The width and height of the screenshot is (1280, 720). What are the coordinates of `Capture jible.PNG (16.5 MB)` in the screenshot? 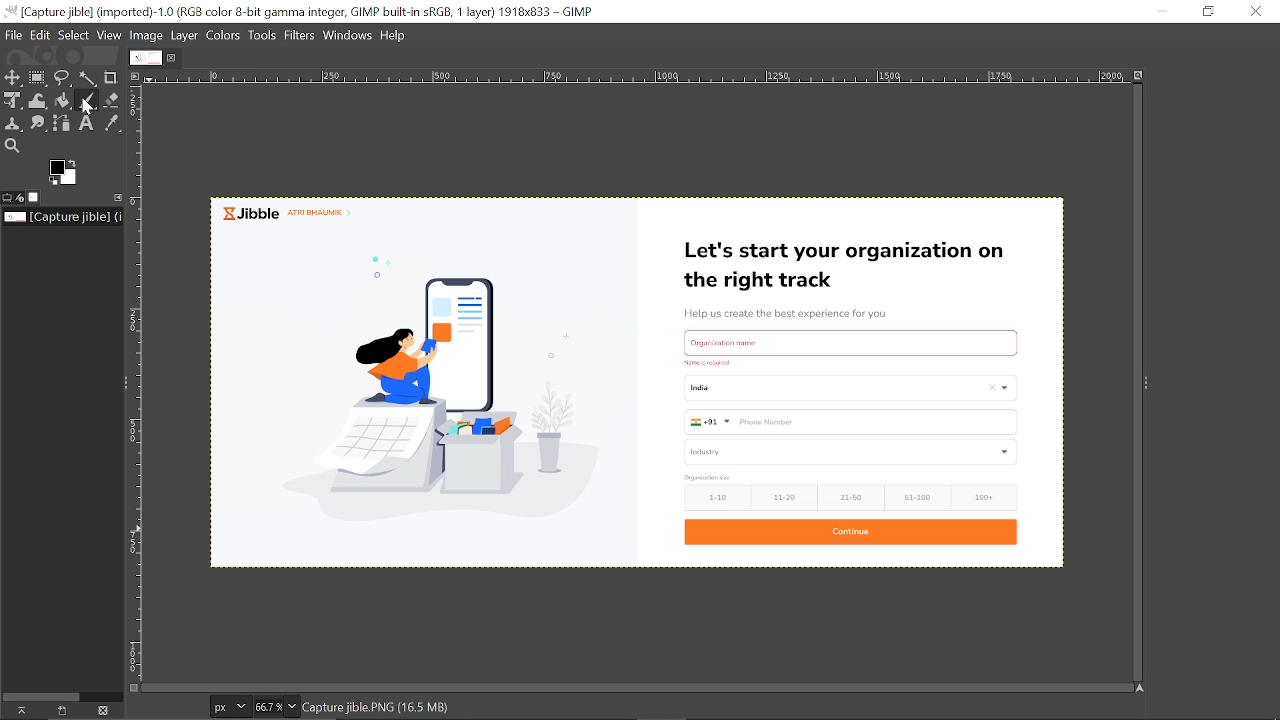 It's located at (389, 709).